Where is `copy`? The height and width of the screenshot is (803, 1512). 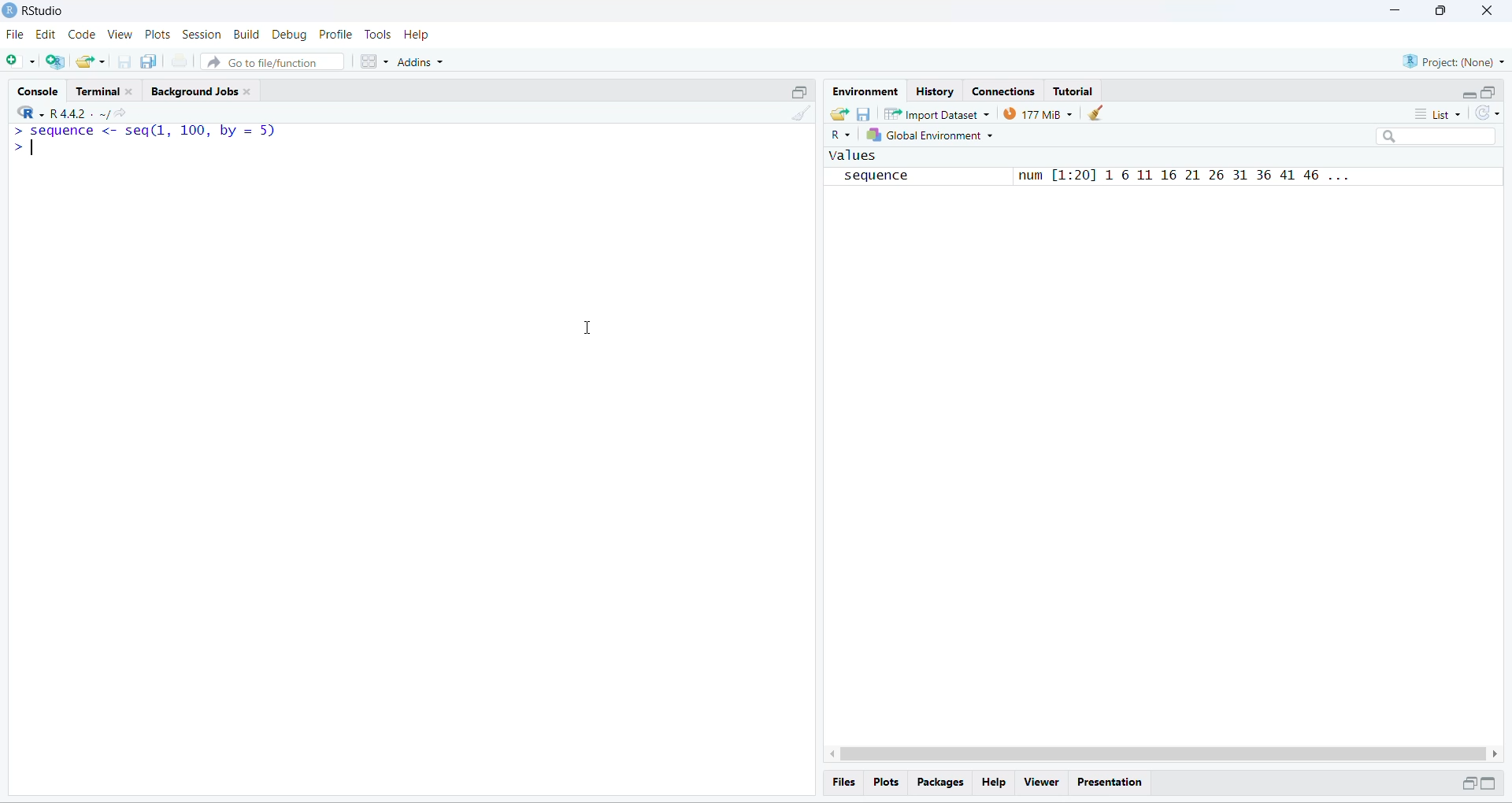 copy is located at coordinates (150, 61).